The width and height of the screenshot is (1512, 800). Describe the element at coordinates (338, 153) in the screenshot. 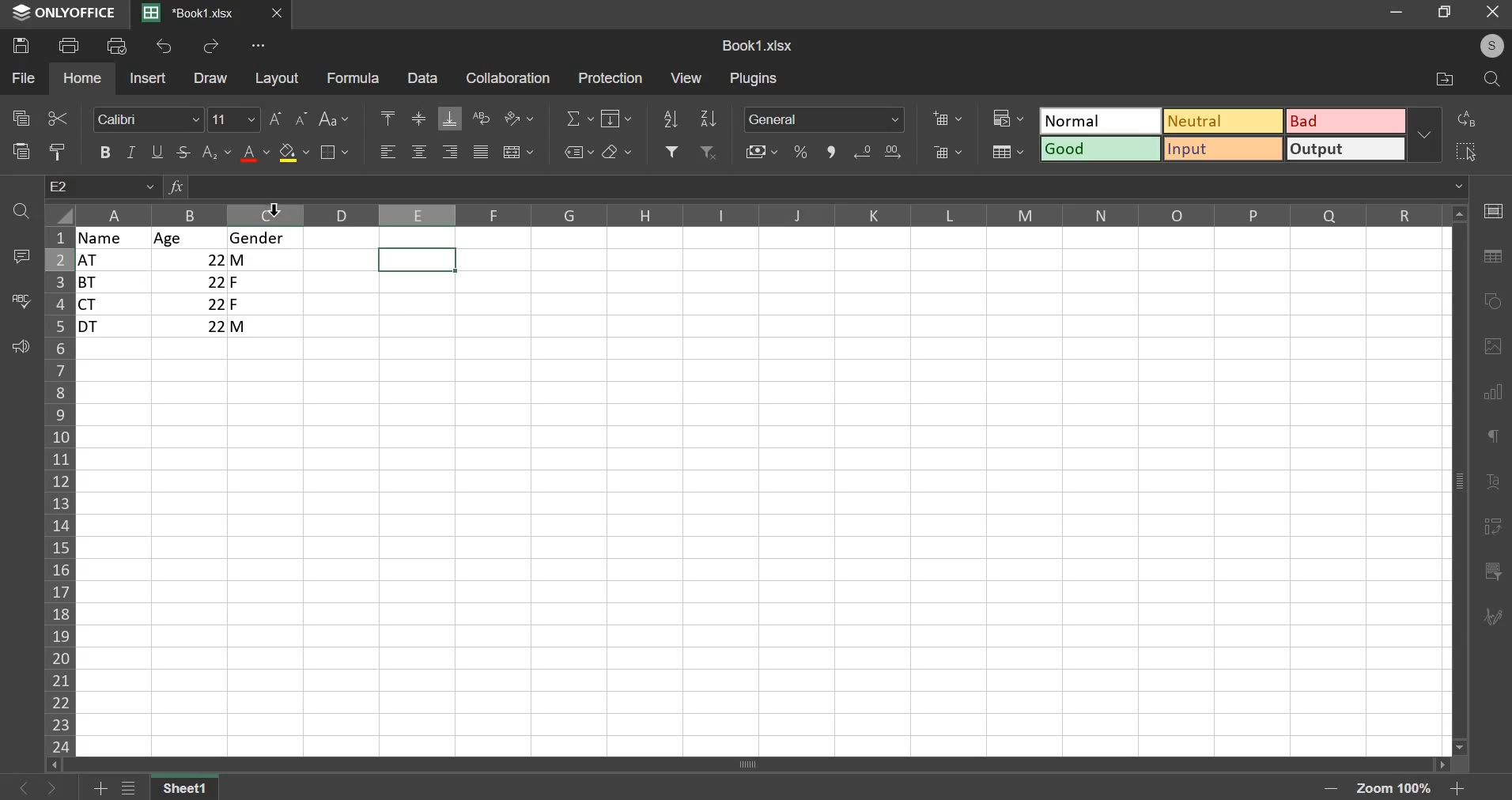

I see `border` at that location.